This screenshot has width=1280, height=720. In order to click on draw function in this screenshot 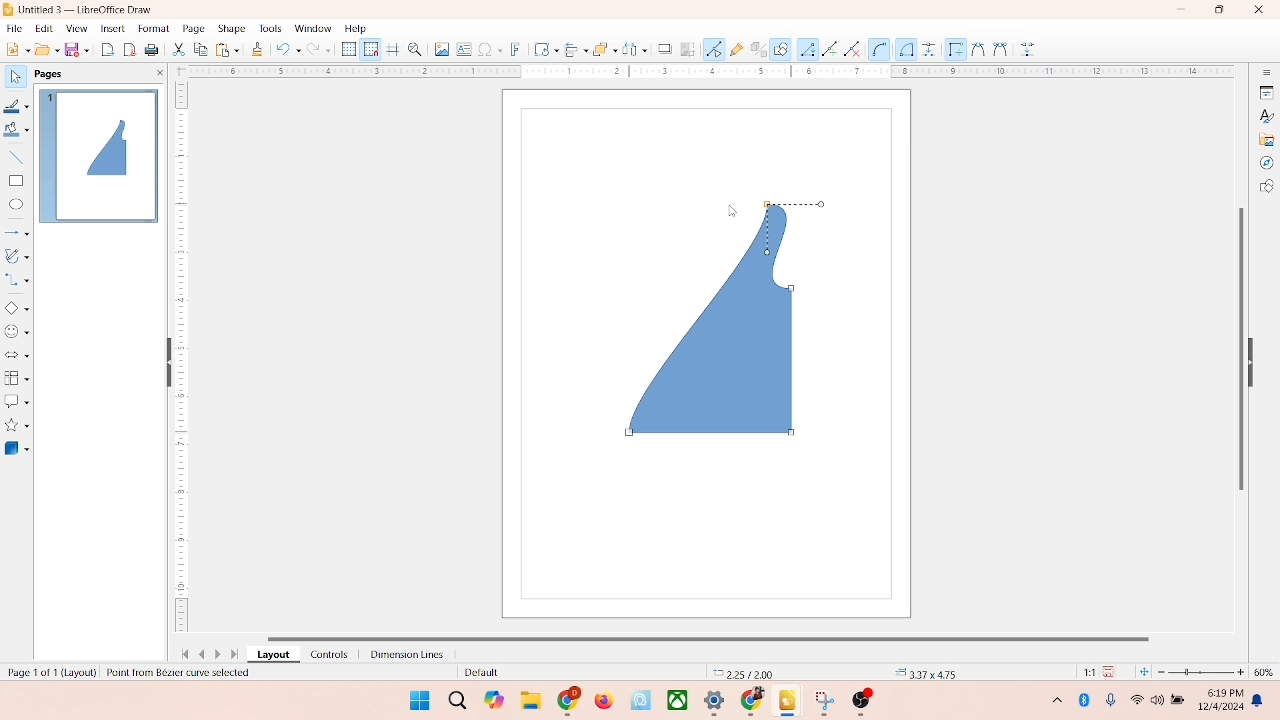, I will do `click(781, 48)`.